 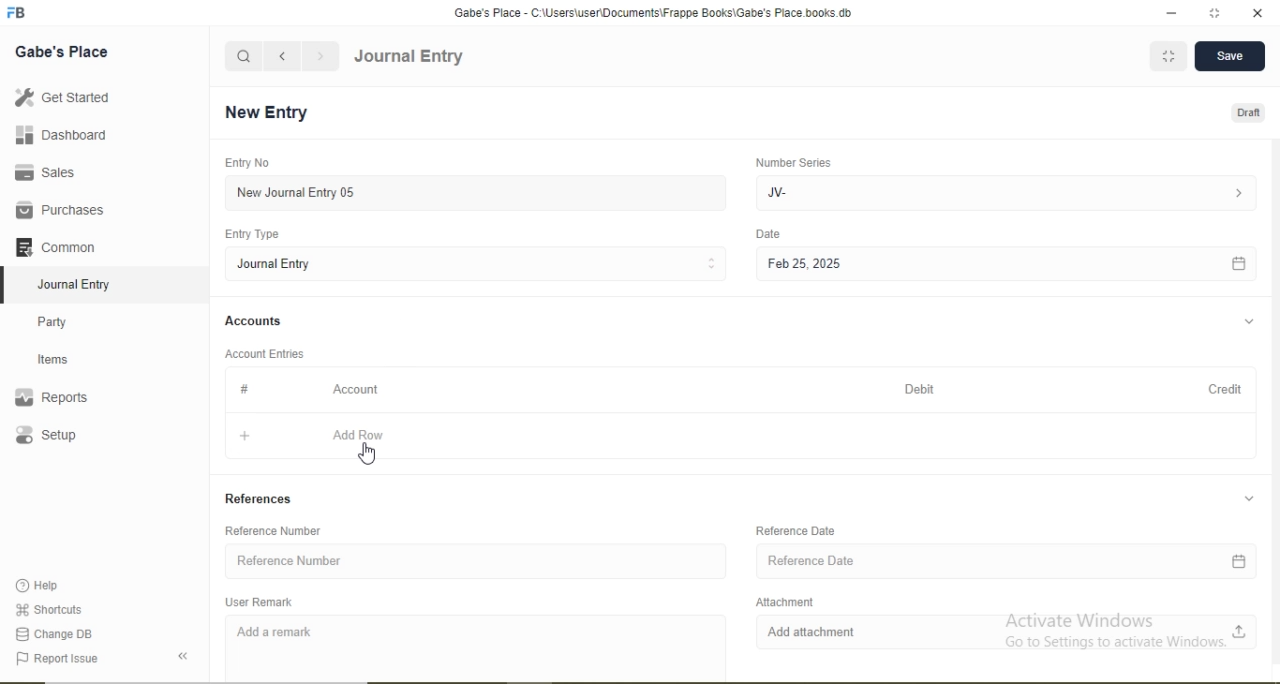 What do you see at coordinates (61, 398) in the screenshot?
I see `Reports` at bounding box center [61, 398].